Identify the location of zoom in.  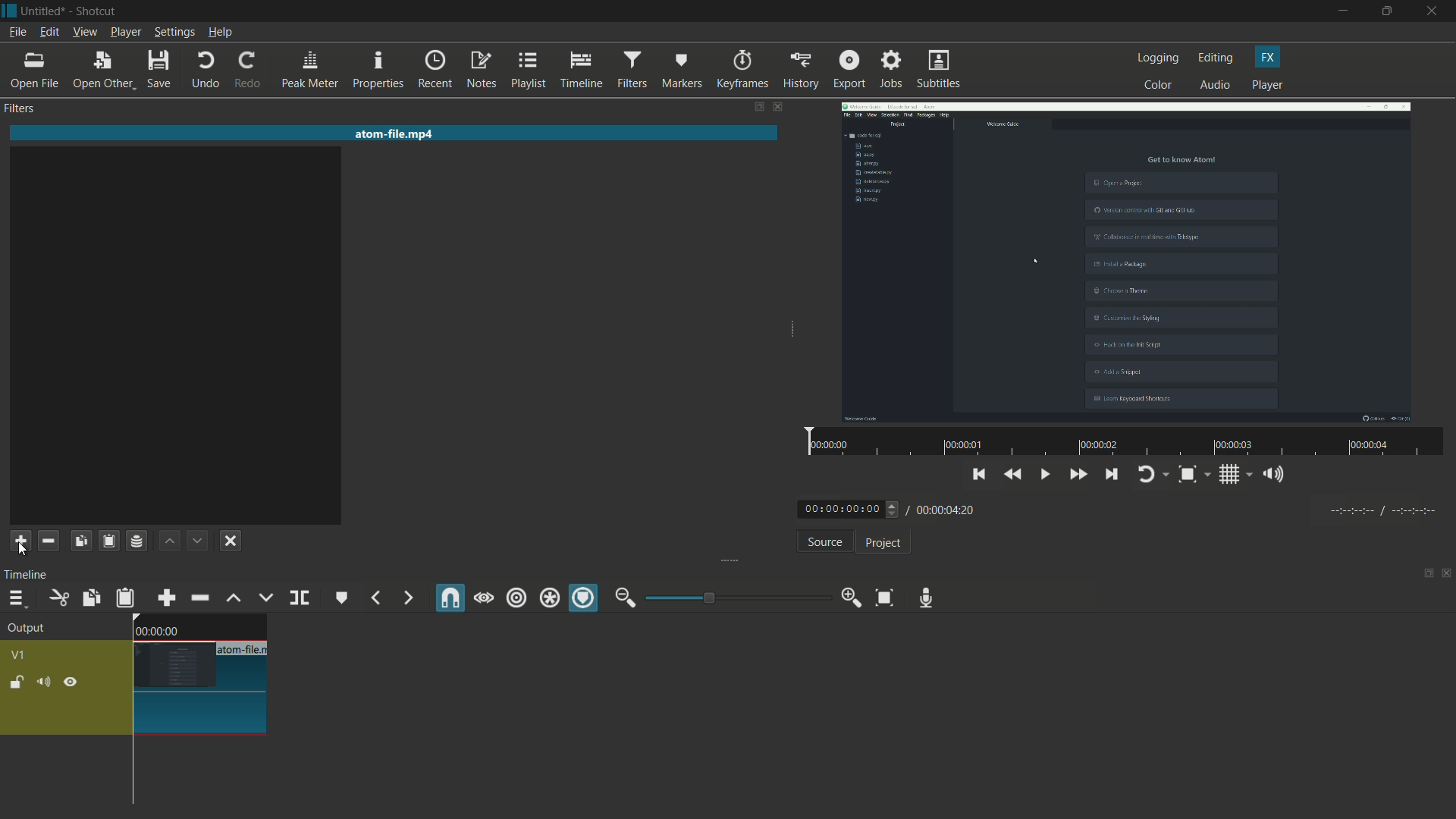
(848, 598).